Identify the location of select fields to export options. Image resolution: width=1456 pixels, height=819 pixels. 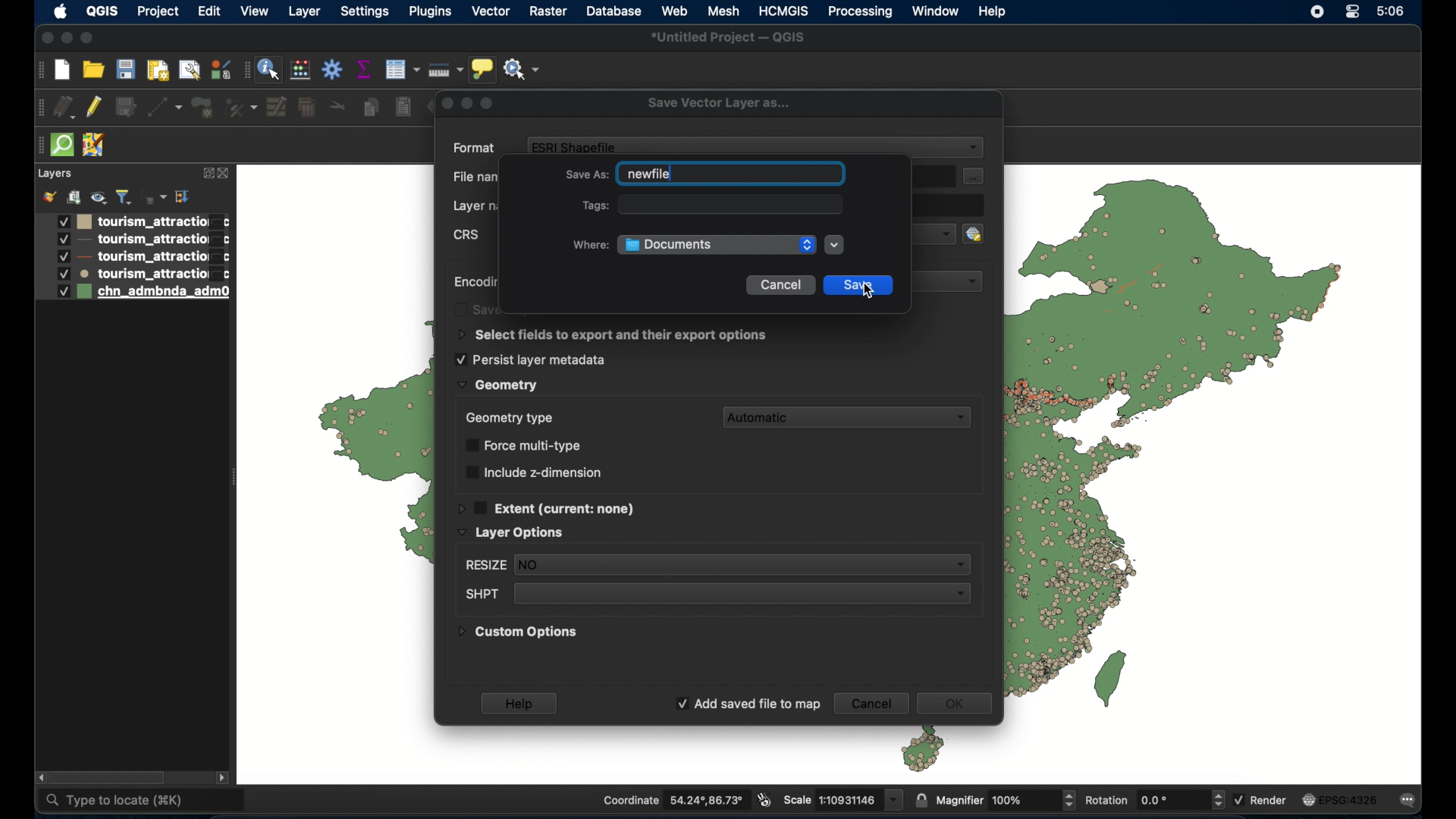
(613, 335).